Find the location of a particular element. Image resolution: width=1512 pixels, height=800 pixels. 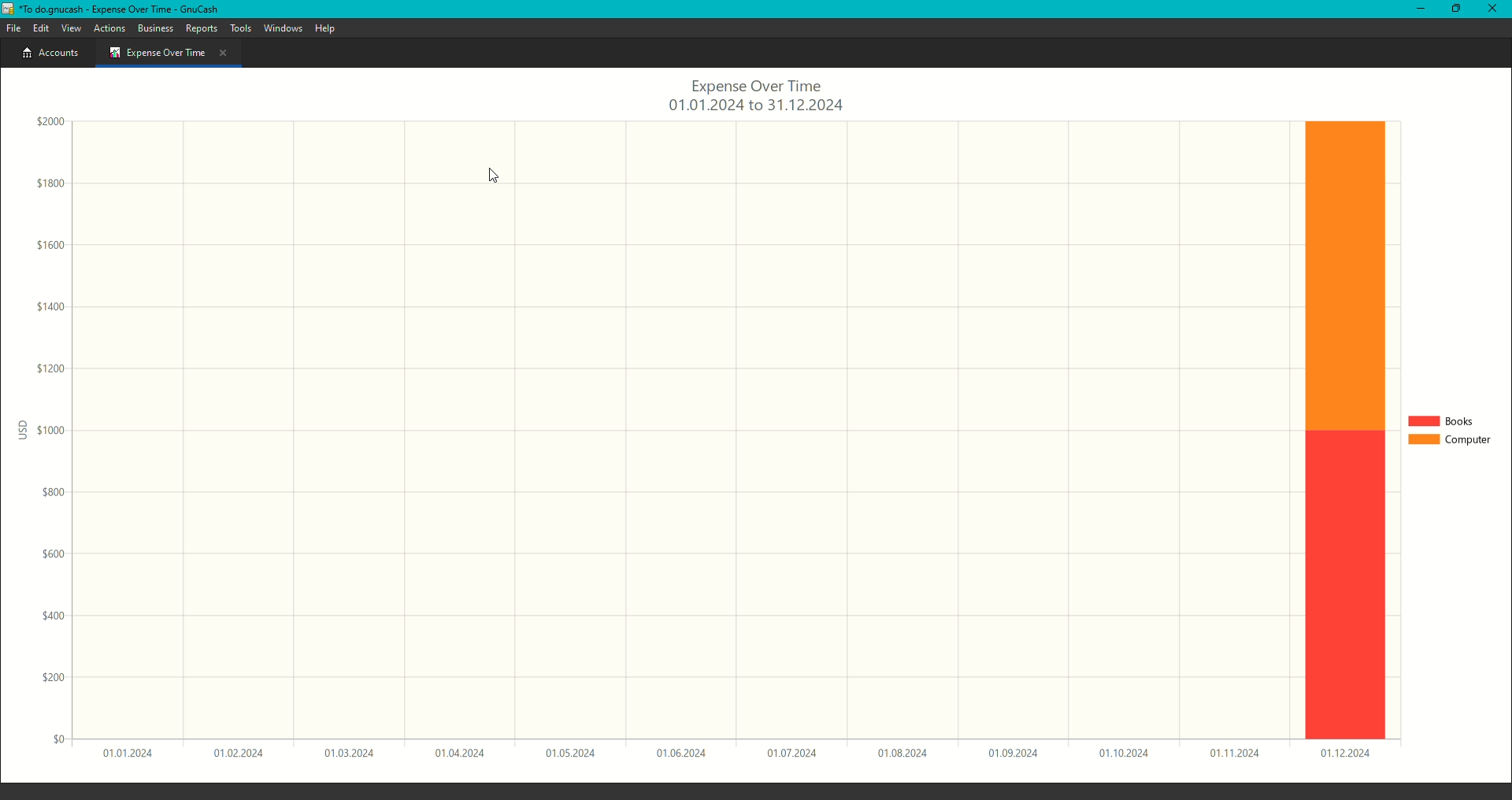

Business is located at coordinates (155, 28).